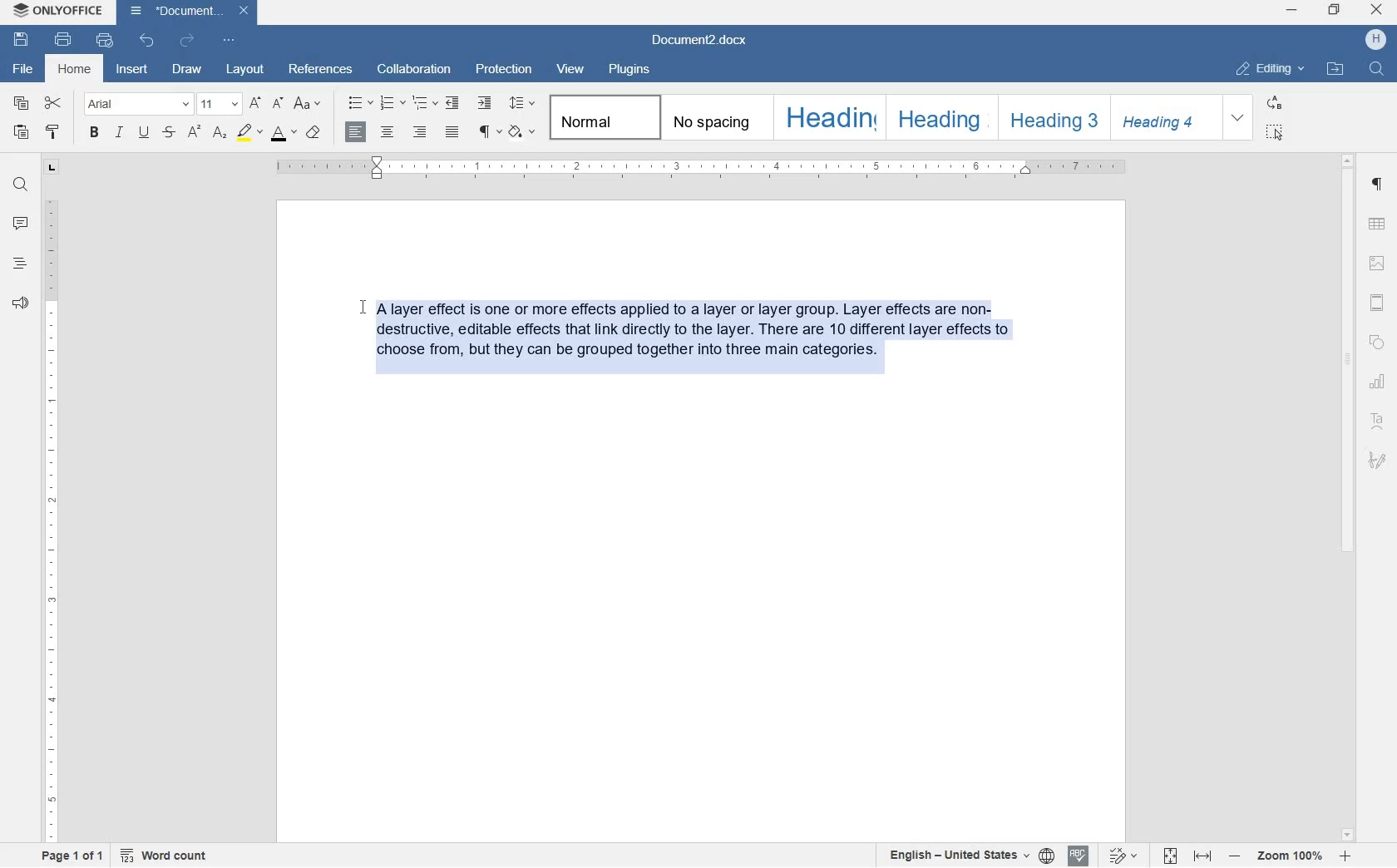 The image size is (1397, 868). Describe the element at coordinates (488, 131) in the screenshot. I see `nonprinting characters` at that location.